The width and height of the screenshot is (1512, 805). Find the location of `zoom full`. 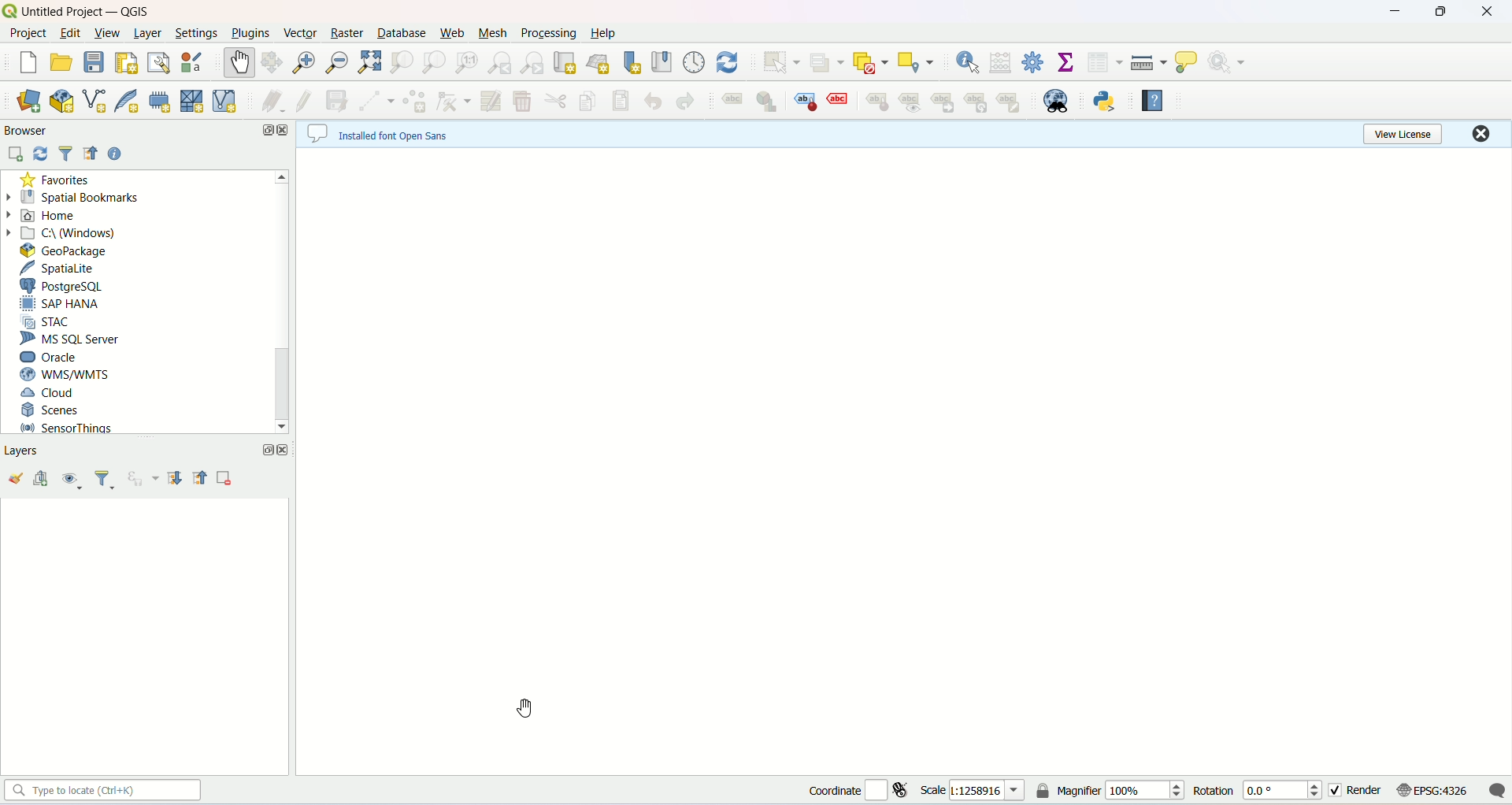

zoom full is located at coordinates (369, 61).